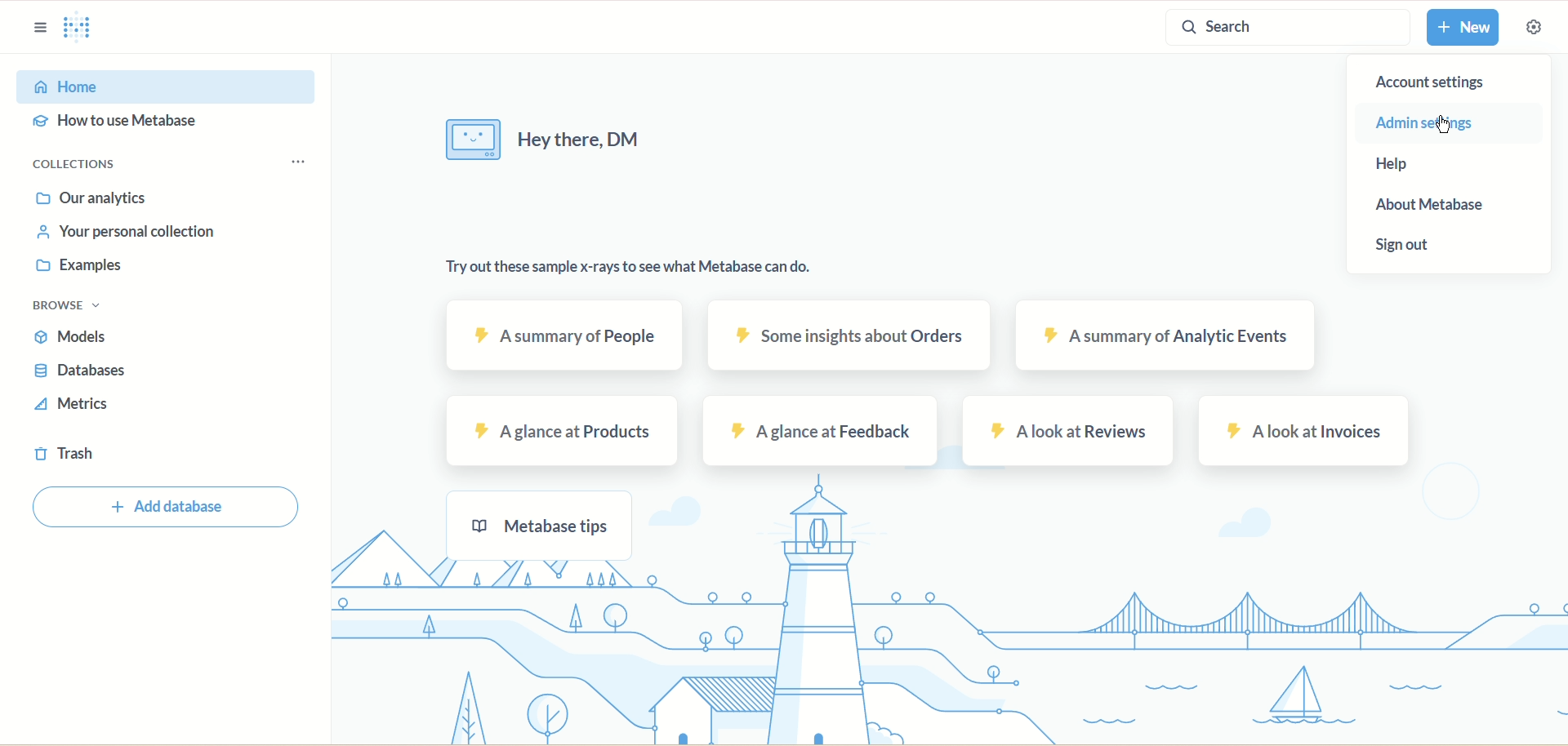  I want to click on Our analytics, so click(102, 194).